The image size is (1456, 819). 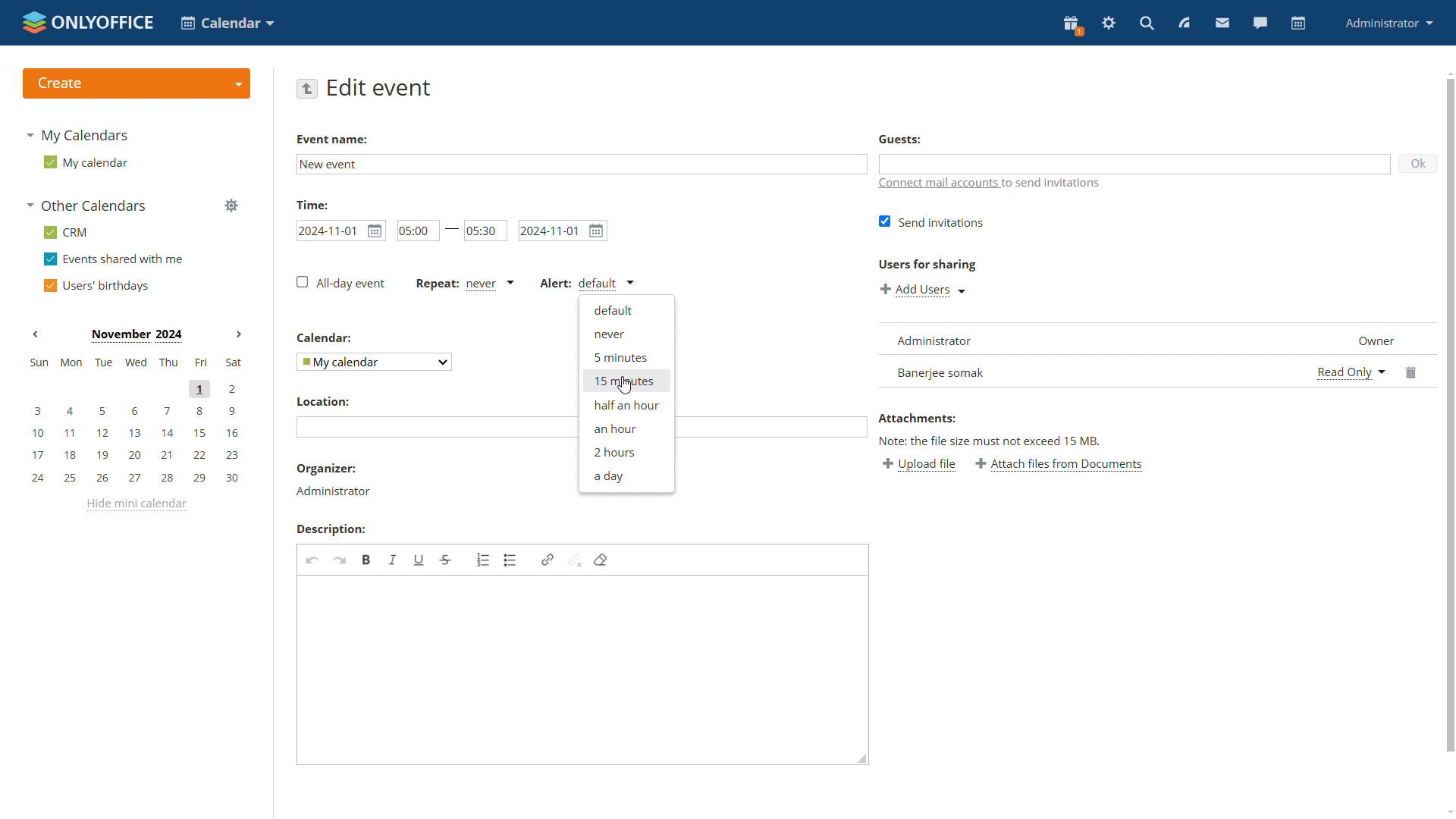 I want to click on 15 minutes, so click(x=626, y=380).